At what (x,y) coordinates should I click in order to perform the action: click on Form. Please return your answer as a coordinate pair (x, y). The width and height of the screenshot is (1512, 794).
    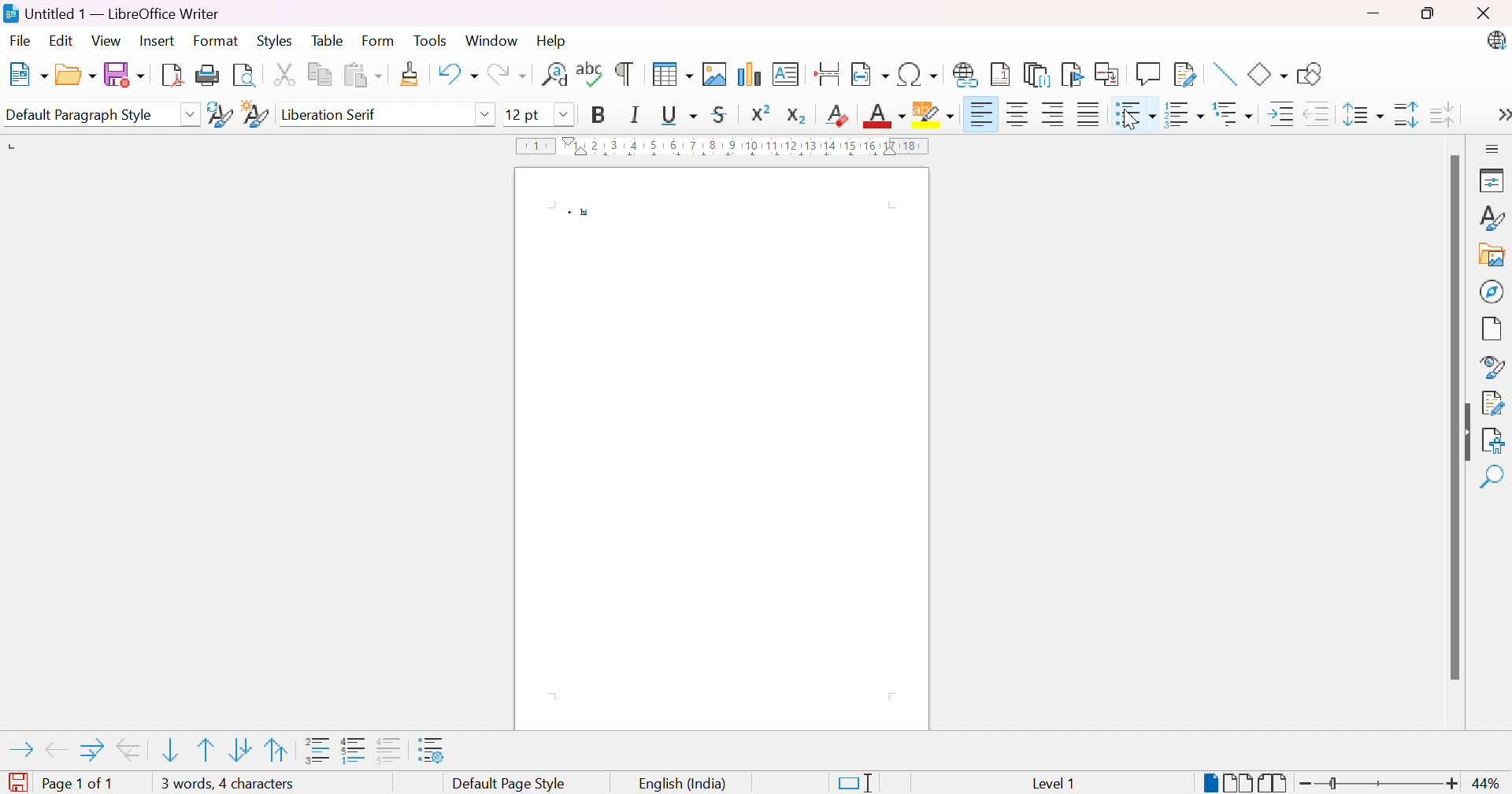
    Looking at the image, I should click on (377, 40).